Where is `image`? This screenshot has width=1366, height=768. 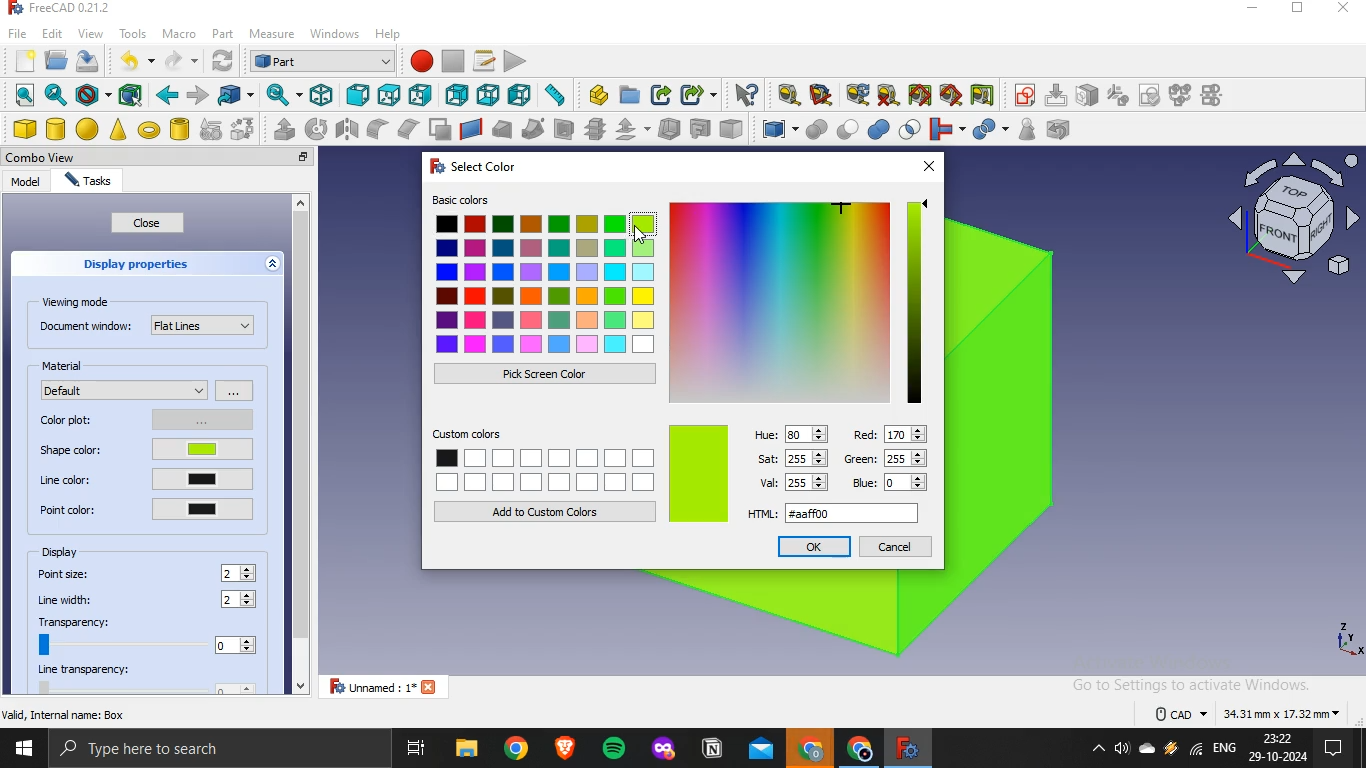
image is located at coordinates (699, 474).